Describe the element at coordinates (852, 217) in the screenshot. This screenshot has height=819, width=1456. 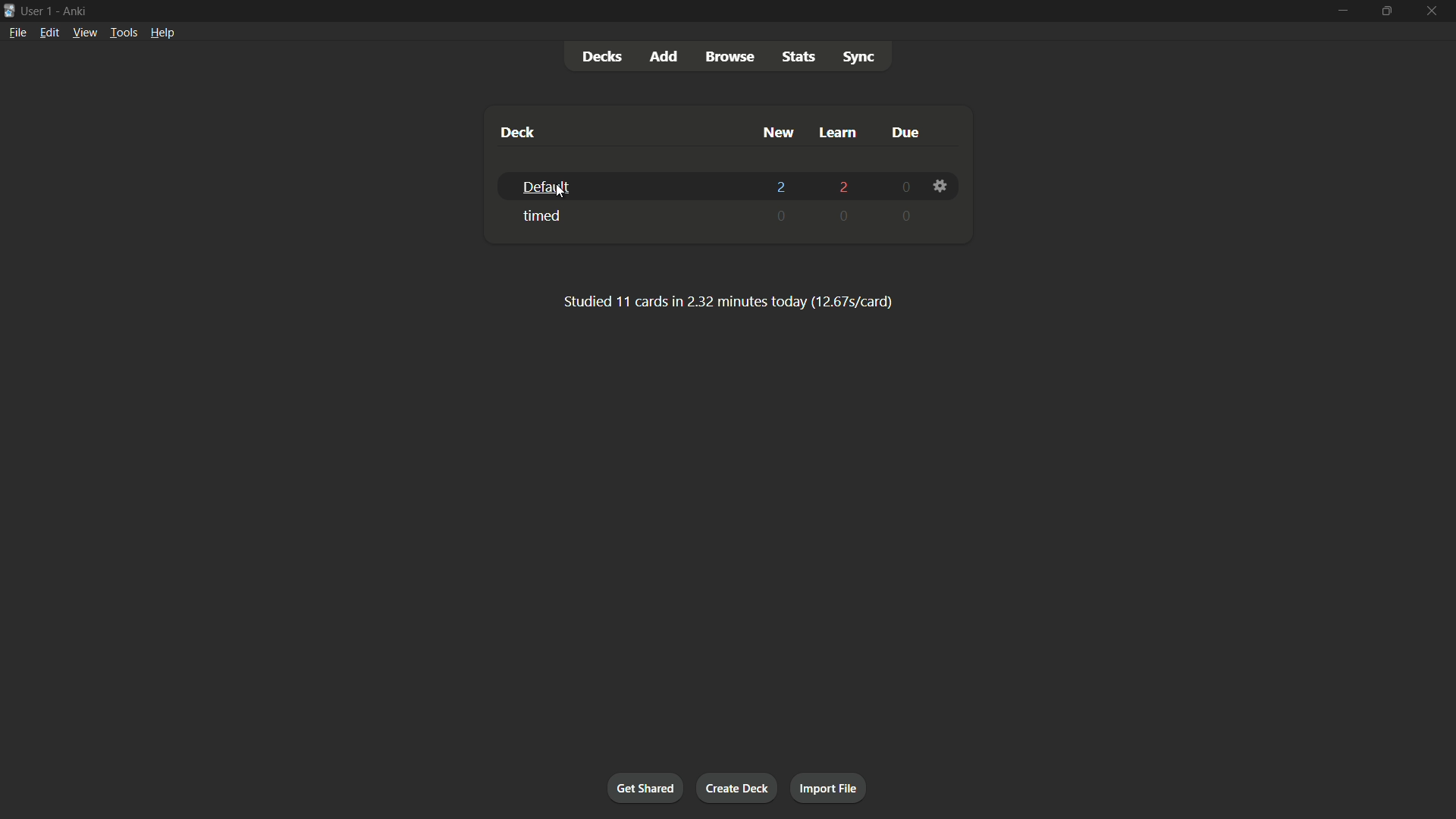
I see `0` at that location.